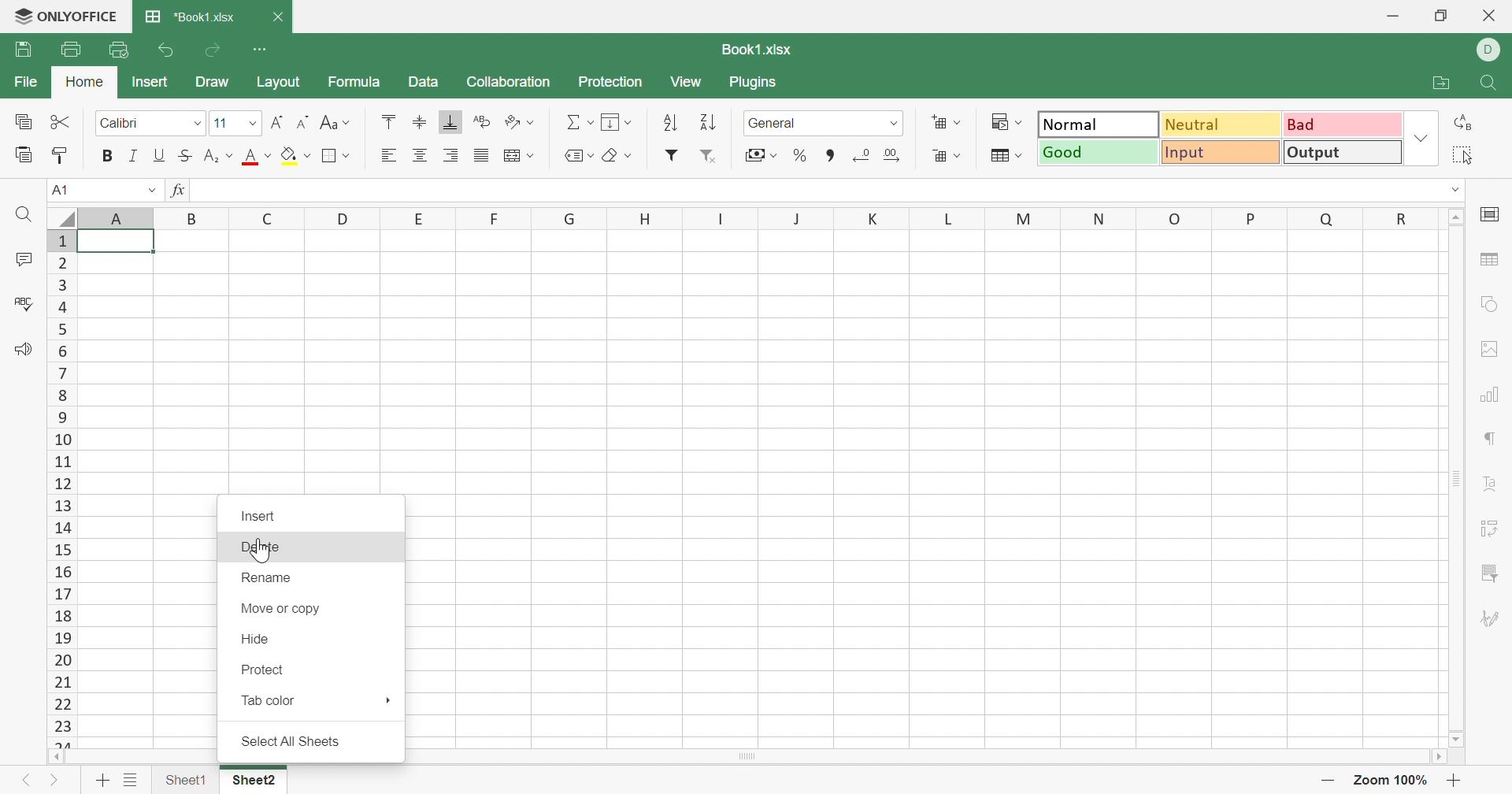 The height and width of the screenshot is (794, 1512). Describe the element at coordinates (279, 83) in the screenshot. I see `Layout` at that location.